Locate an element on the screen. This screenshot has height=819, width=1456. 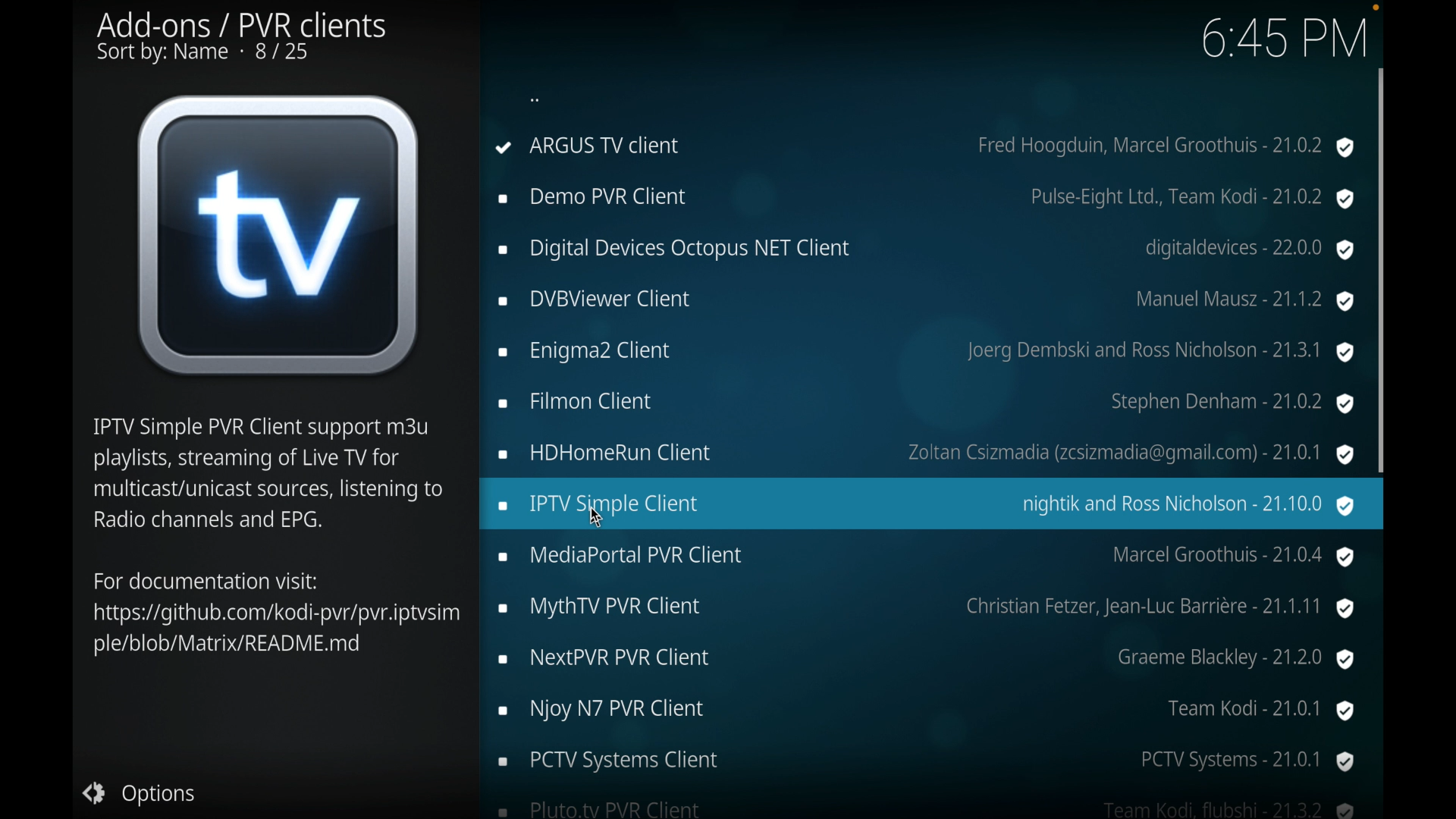
6:44 PM is located at coordinates (1291, 40).